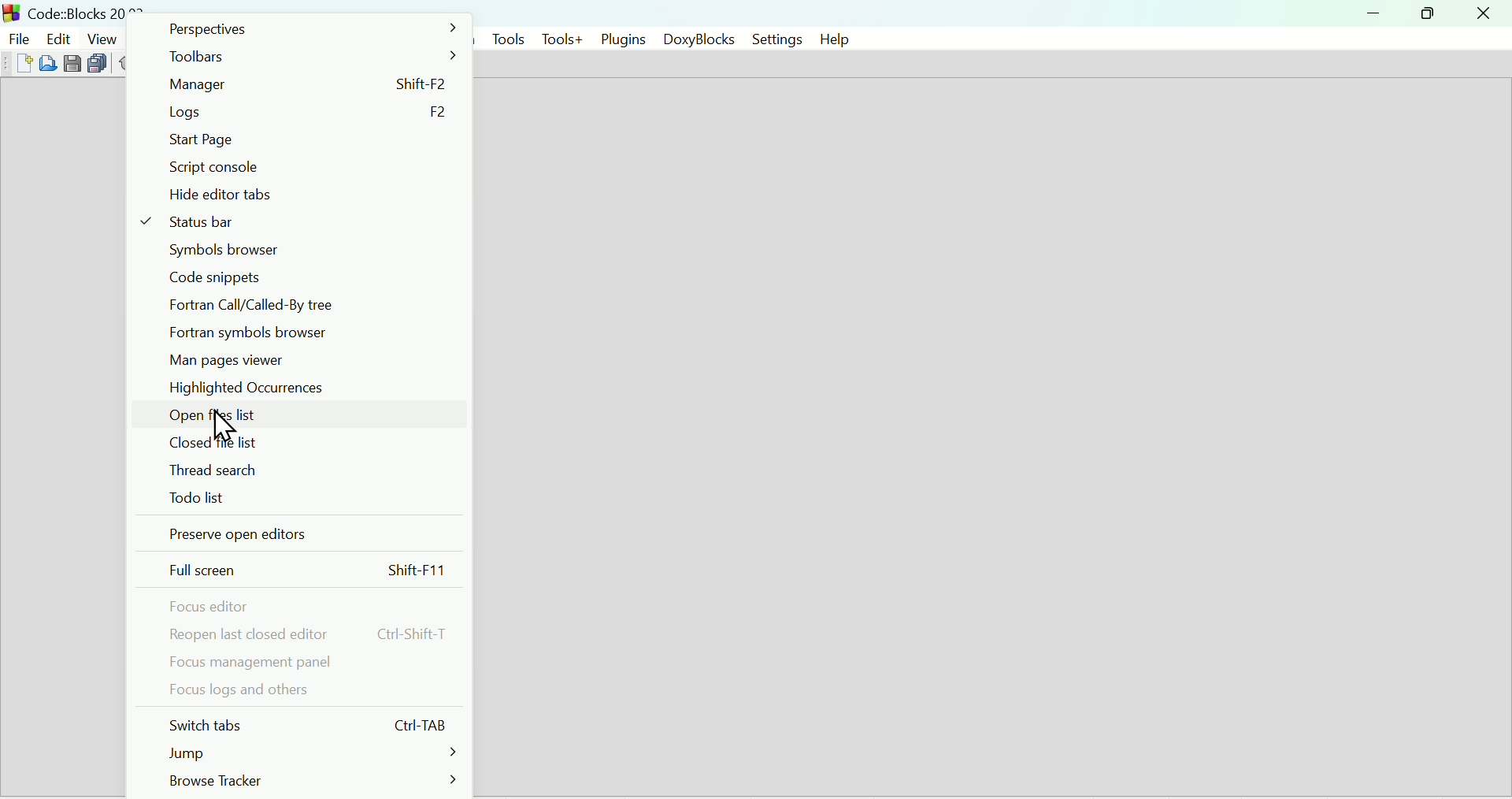 The width and height of the screenshot is (1512, 799). Describe the element at coordinates (306, 535) in the screenshot. I see `Preserve open editors` at that location.